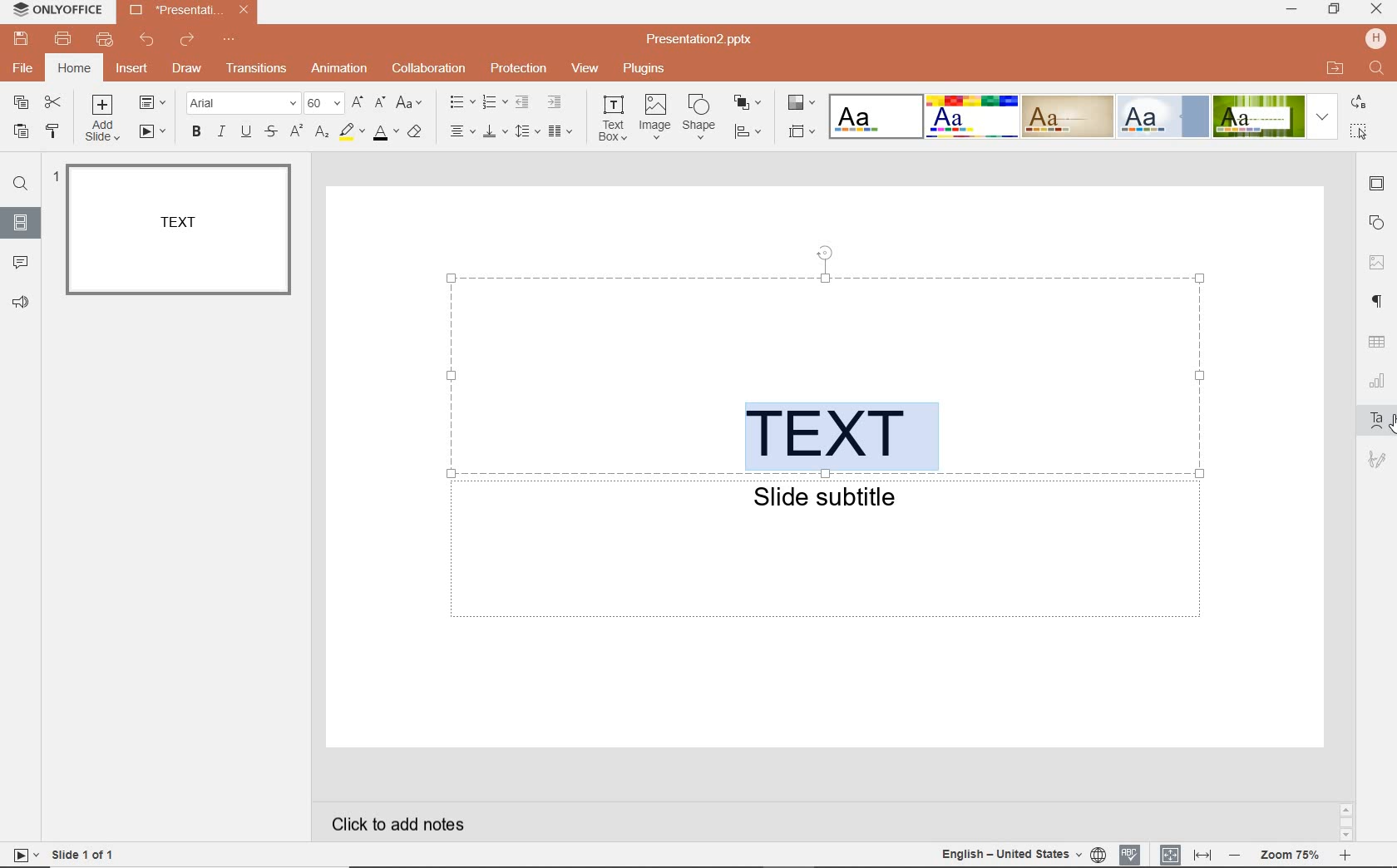 Image resolution: width=1397 pixels, height=868 pixels. I want to click on SYSTEM NAME, so click(55, 9).